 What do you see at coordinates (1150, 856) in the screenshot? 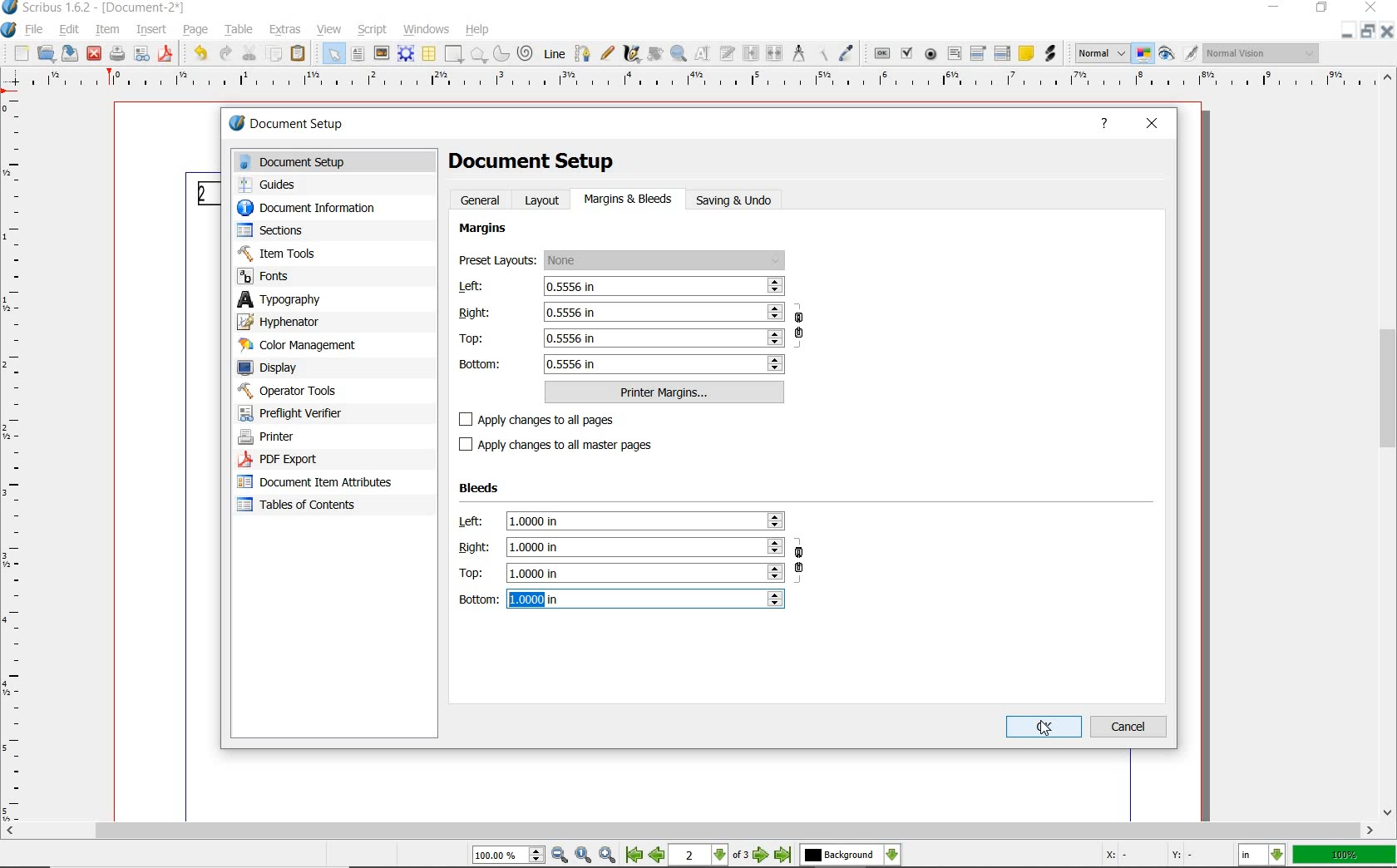
I see `Curspr Coordinates` at bounding box center [1150, 856].